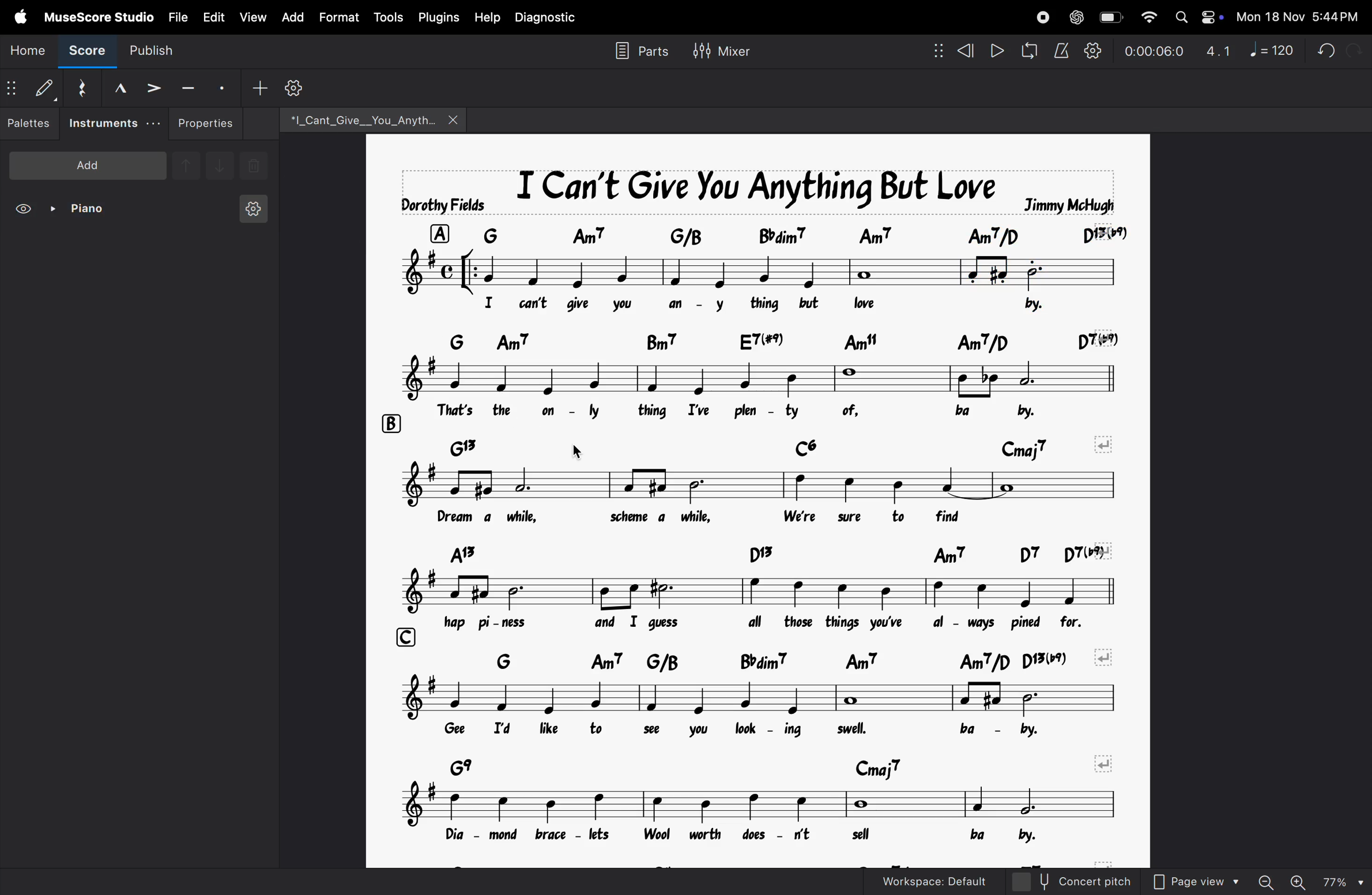 The image size is (1372, 895). What do you see at coordinates (446, 233) in the screenshot?
I see `row` at bounding box center [446, 233].